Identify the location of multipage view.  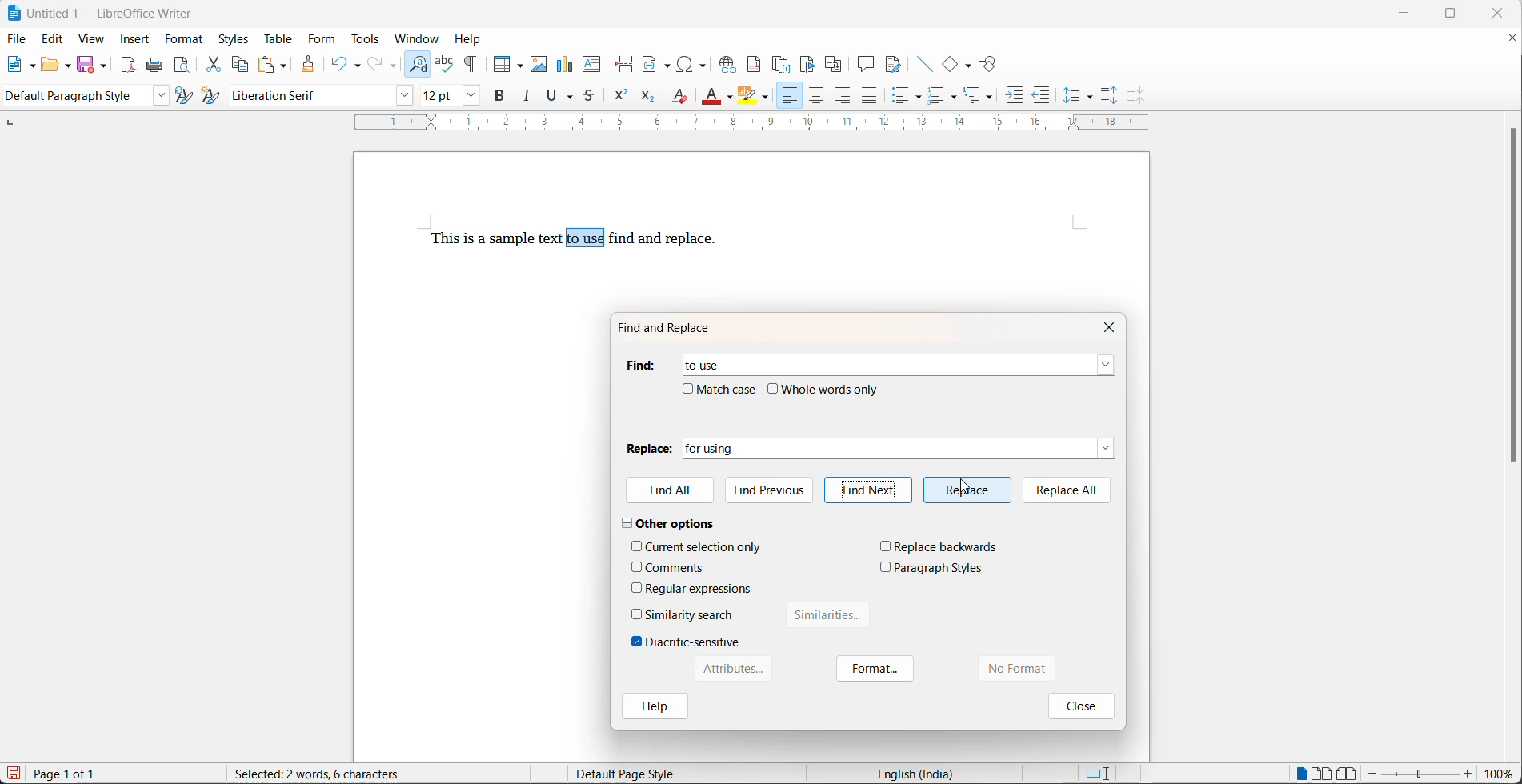
(1321, 773).